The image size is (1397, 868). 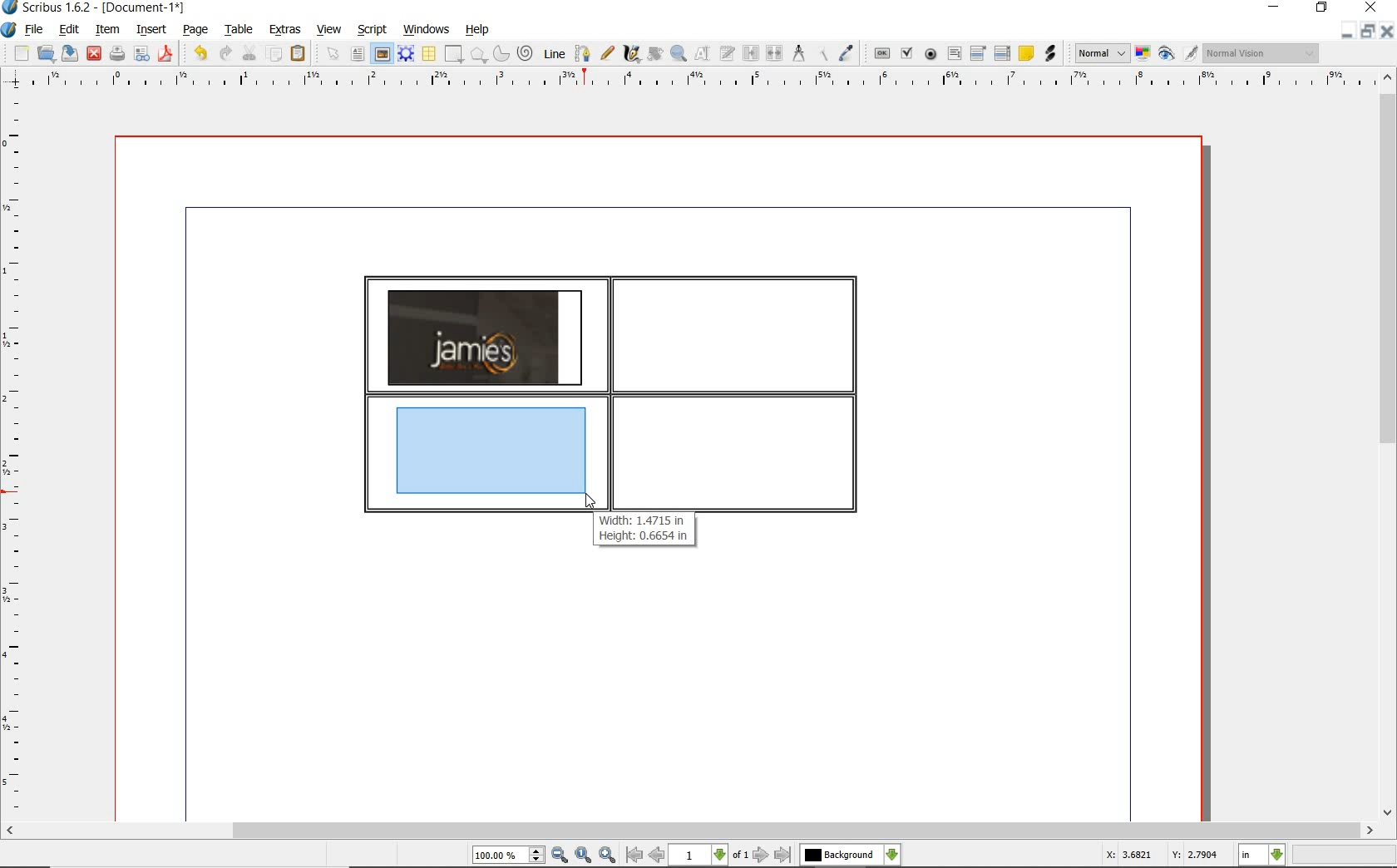 What do you see at coordinates (555, 52) in the screenshot?
I see `line` at bounding box center [555, 52].